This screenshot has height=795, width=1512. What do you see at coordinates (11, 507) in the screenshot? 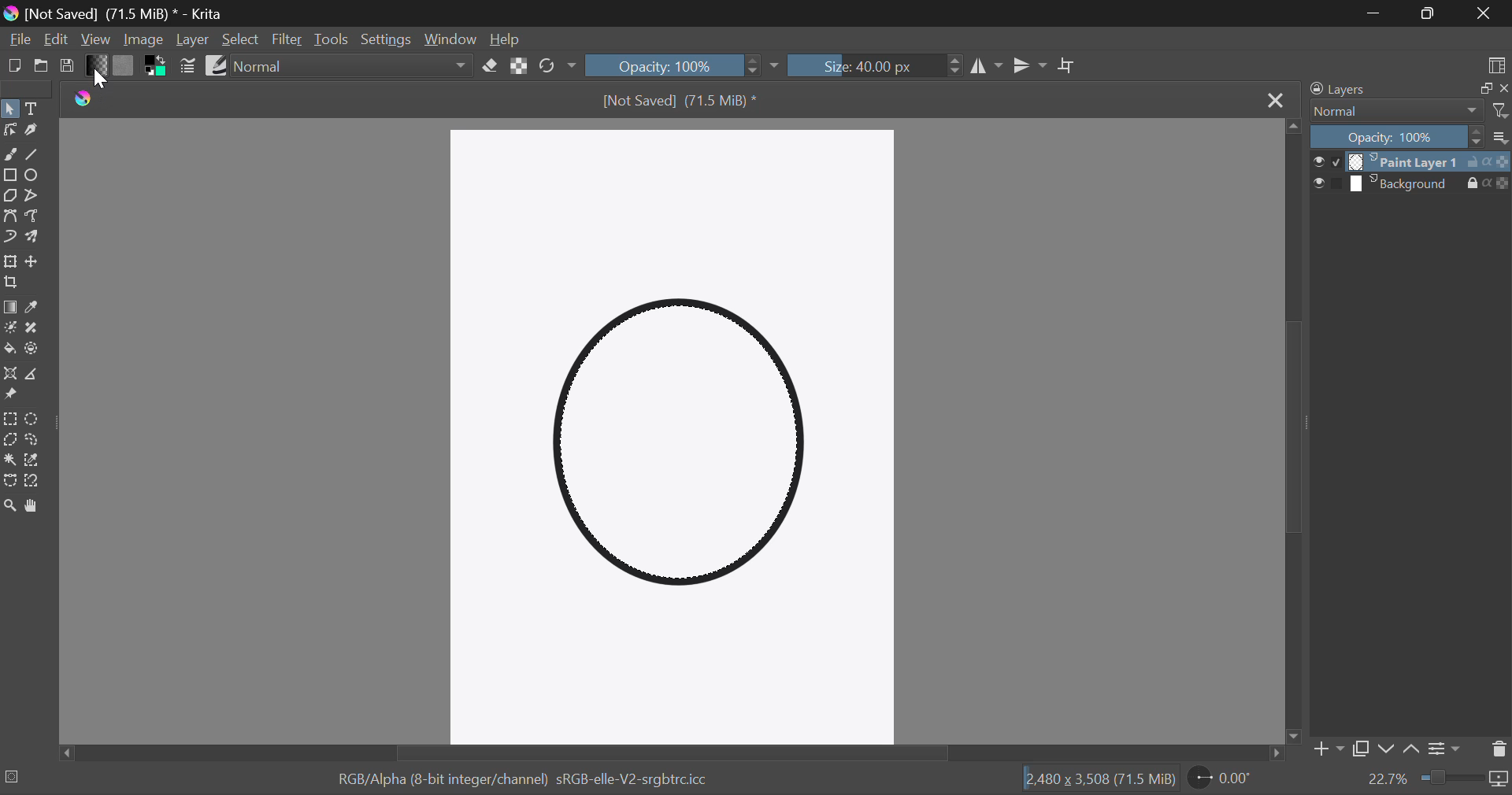
I see `Zoom` at bounding box center [11, 507].